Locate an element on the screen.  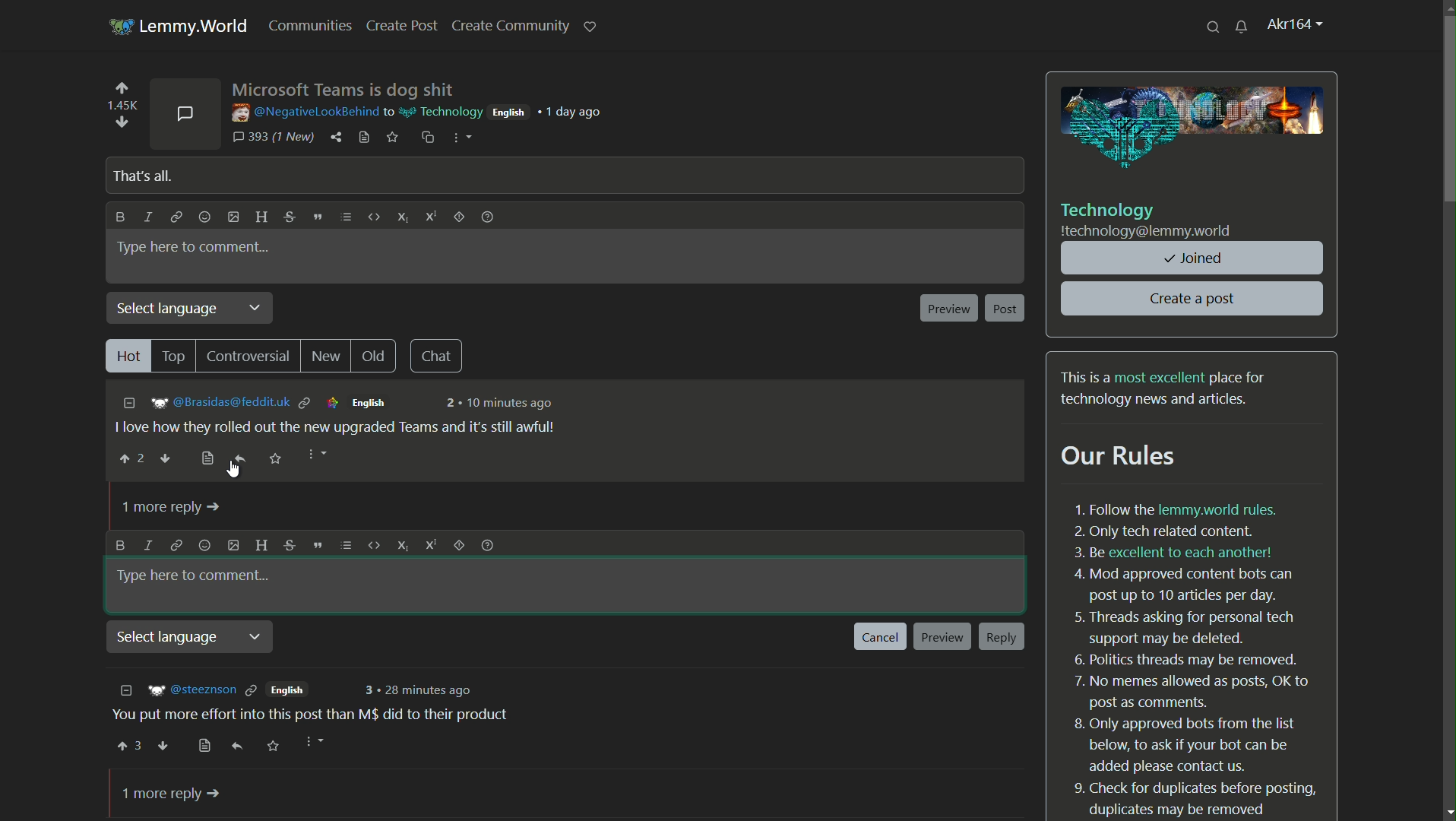
post is located at coordinates (1006, 309).